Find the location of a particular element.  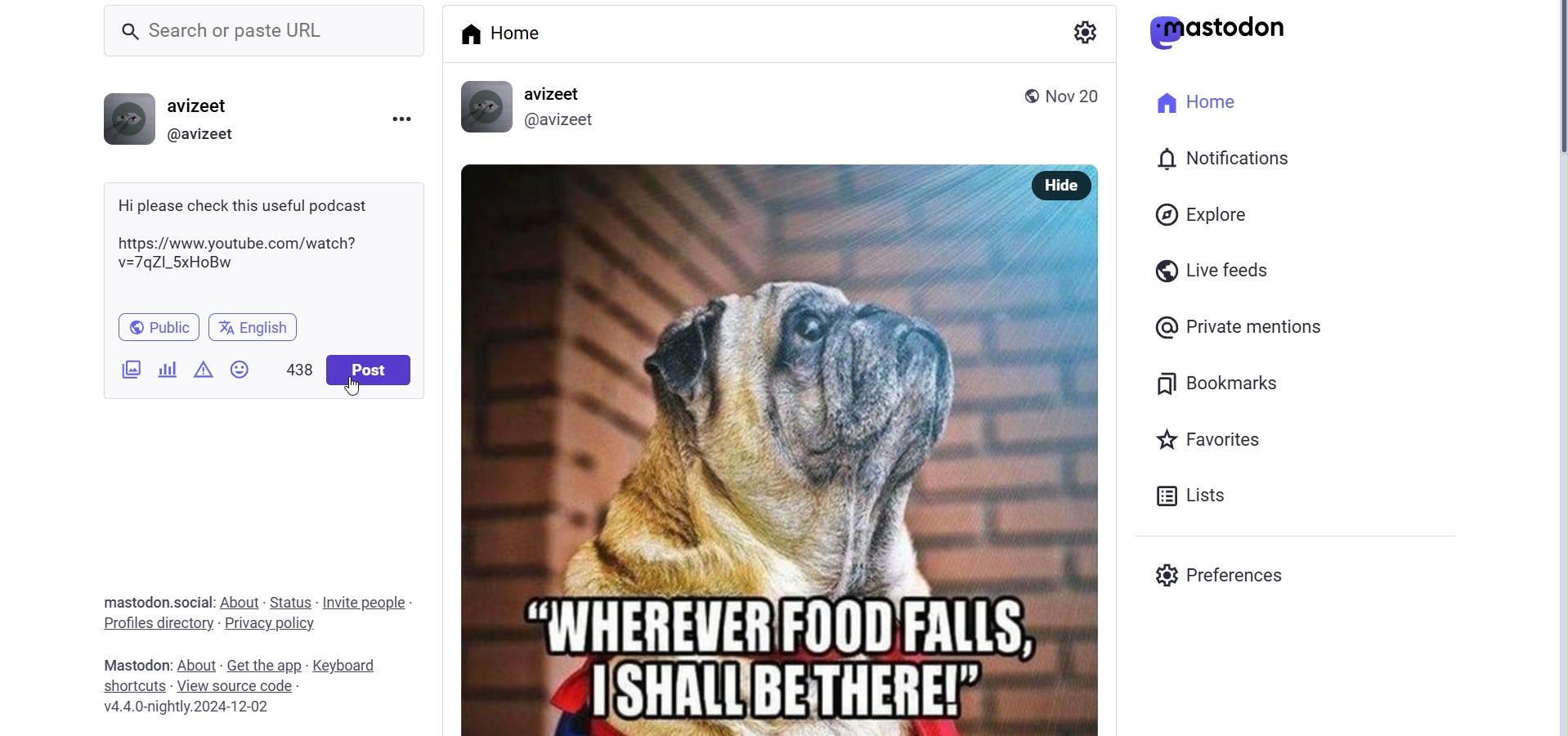

home is located at coordinates (1199, 105).